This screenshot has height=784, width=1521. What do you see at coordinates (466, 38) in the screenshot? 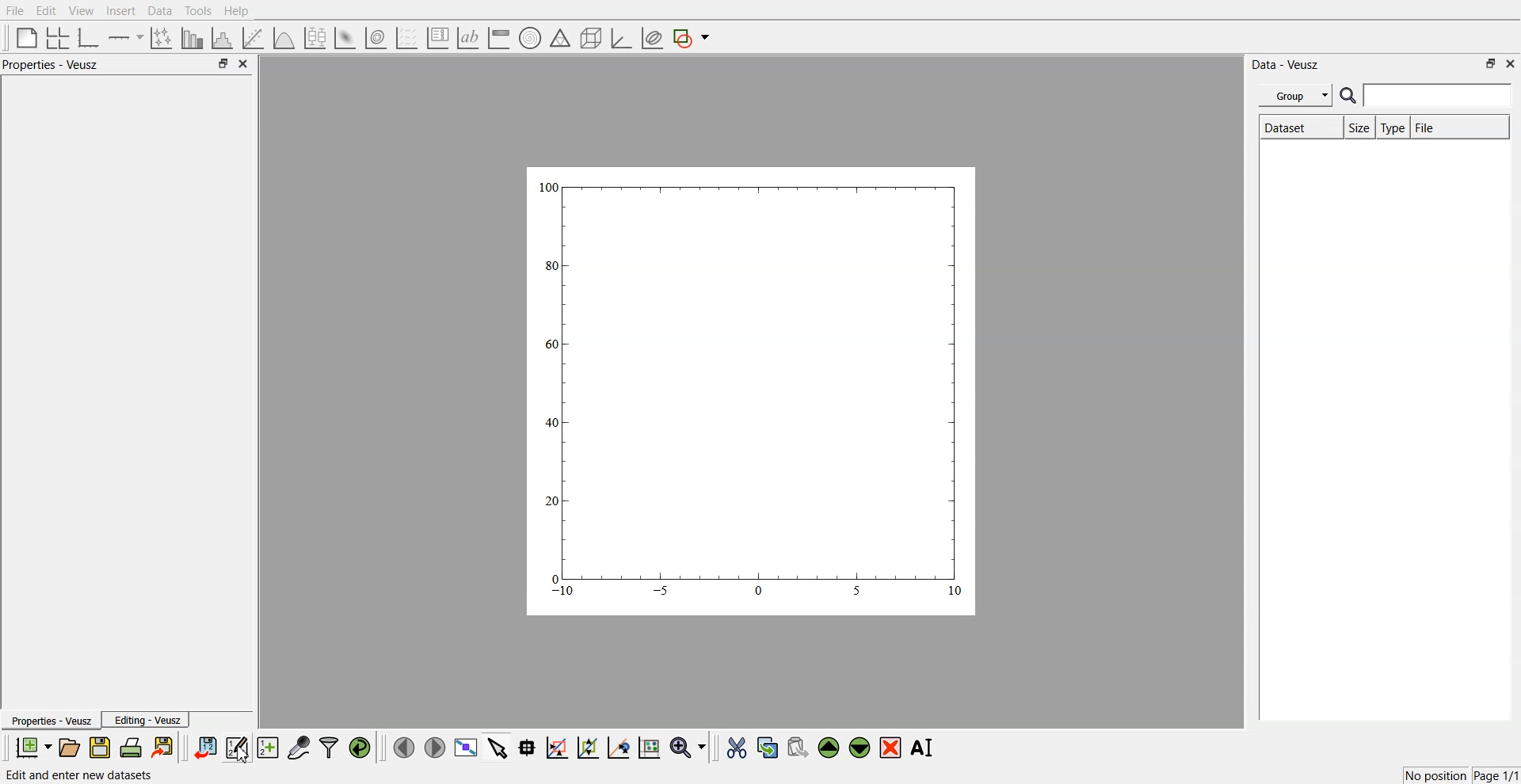
I see `text label` at bounding box center [466, 38].